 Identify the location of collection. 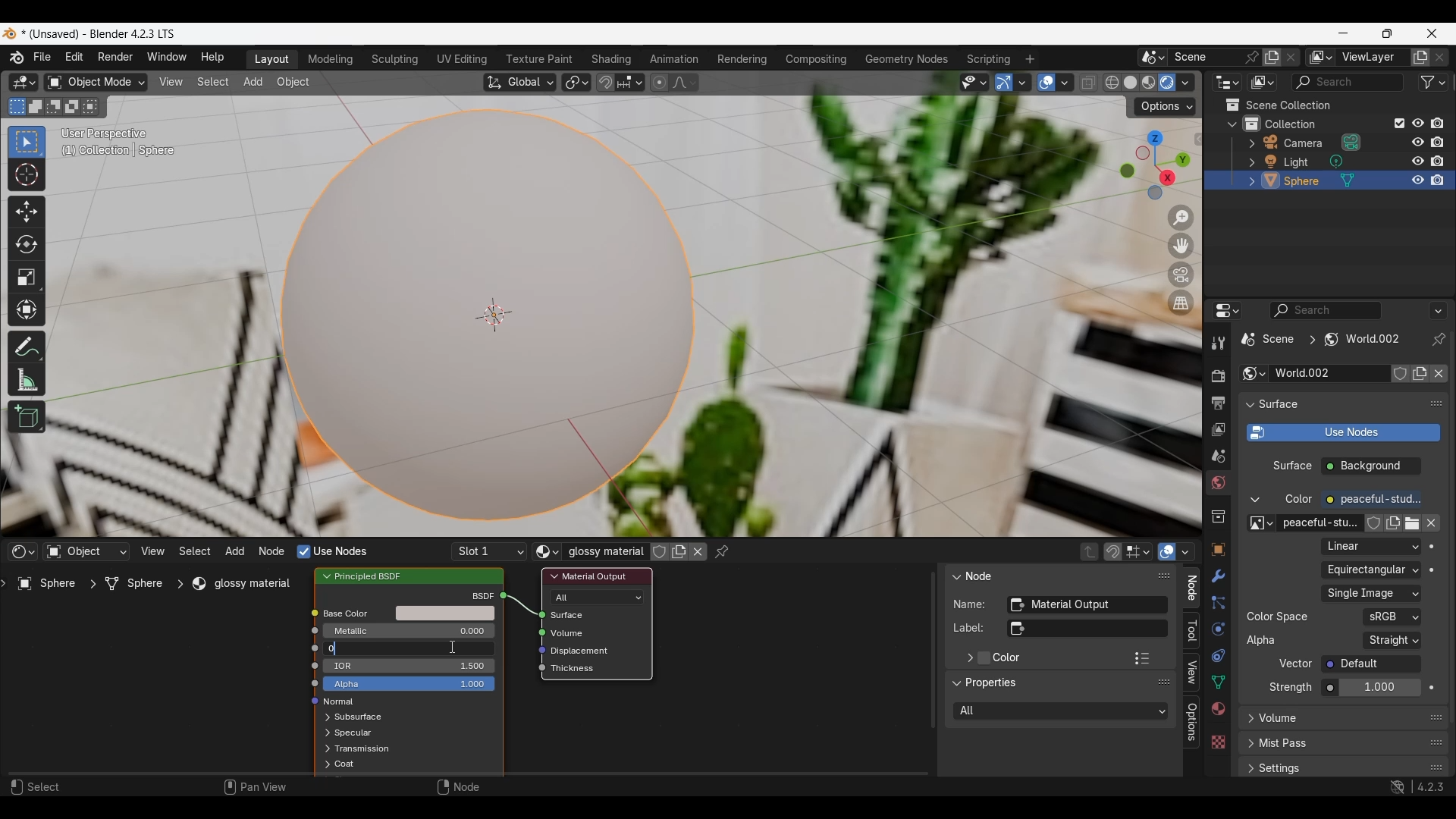
(1304, 123).